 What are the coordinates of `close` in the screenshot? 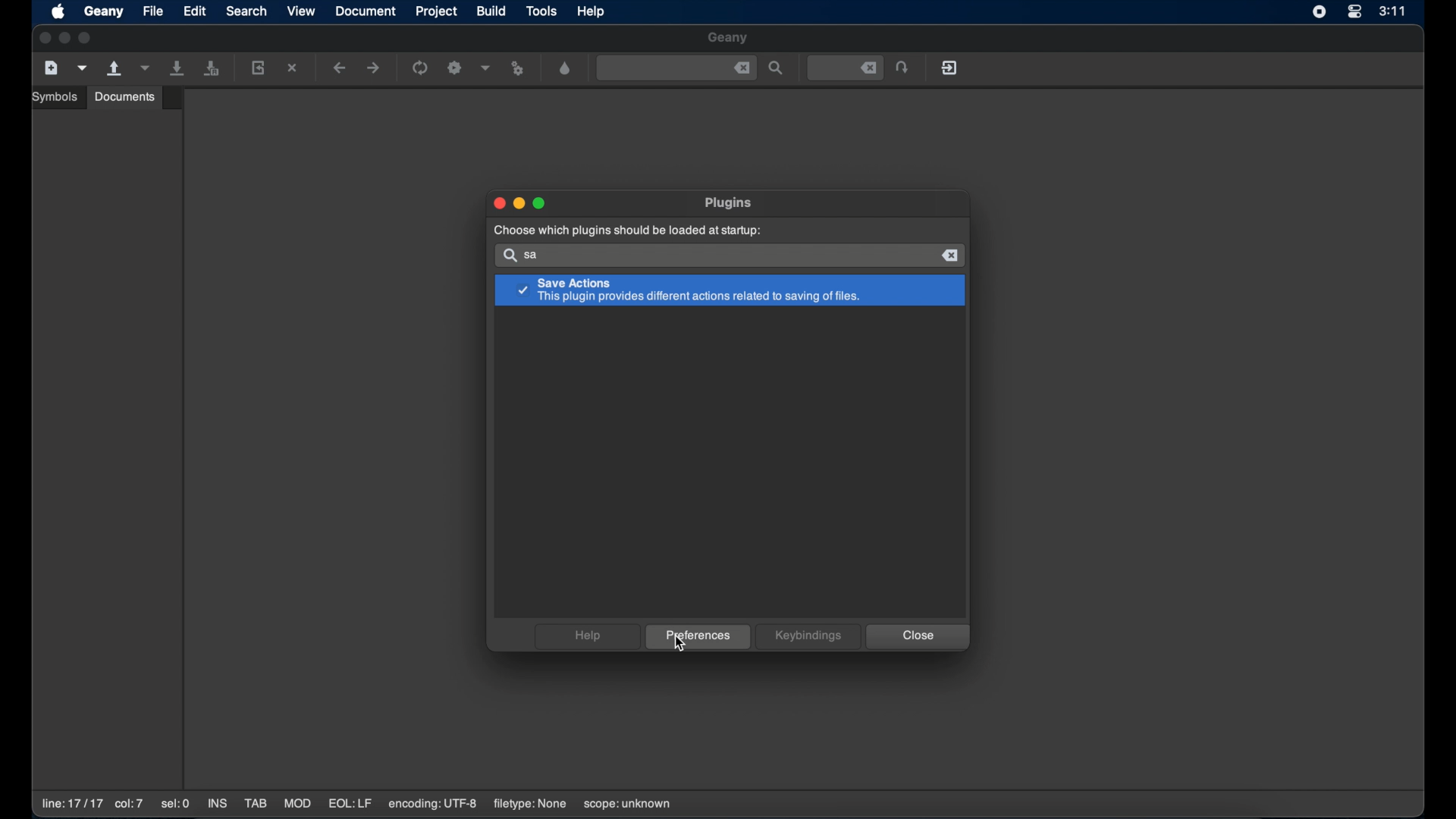 It's located at (497, 203).